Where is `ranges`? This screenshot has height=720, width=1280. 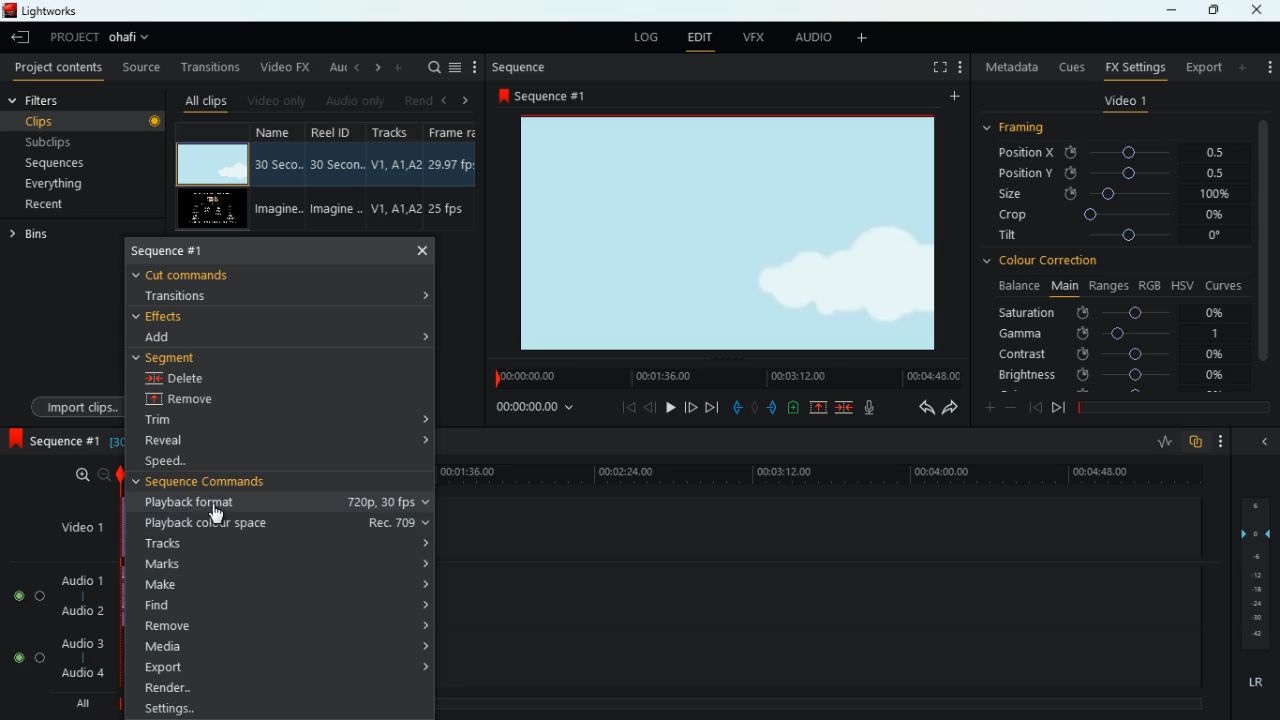 ranges is located at coordinates (1106, 286).